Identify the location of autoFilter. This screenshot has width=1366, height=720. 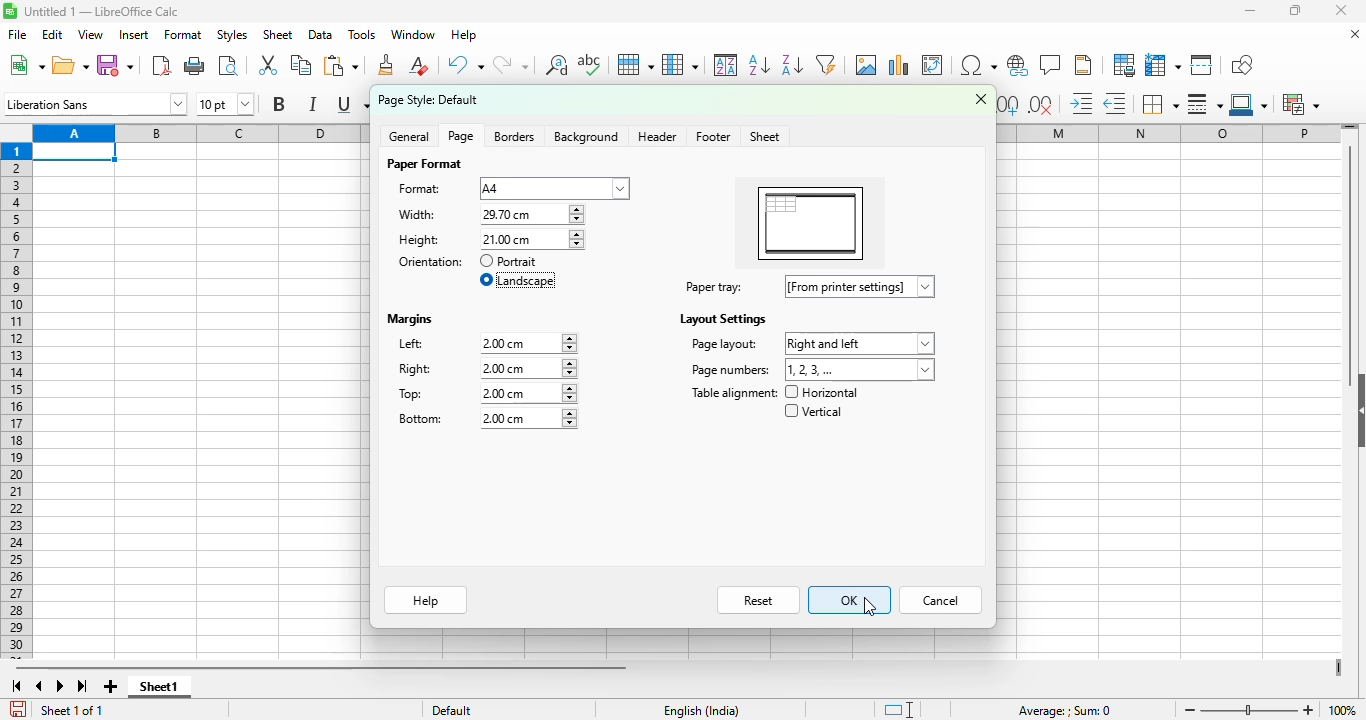
(826, 65).